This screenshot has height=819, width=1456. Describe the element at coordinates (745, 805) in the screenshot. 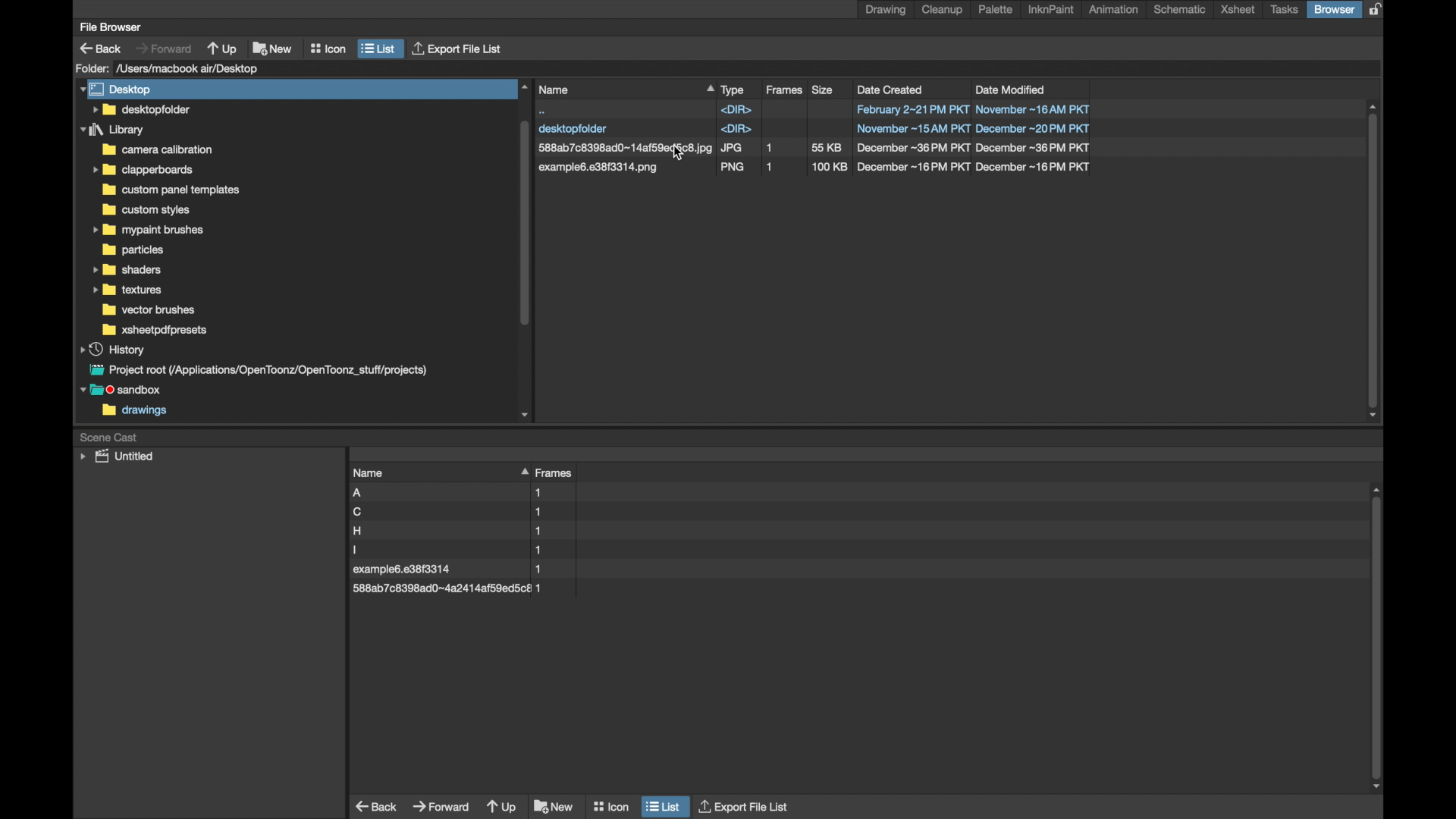

I see `export file list` at that location.